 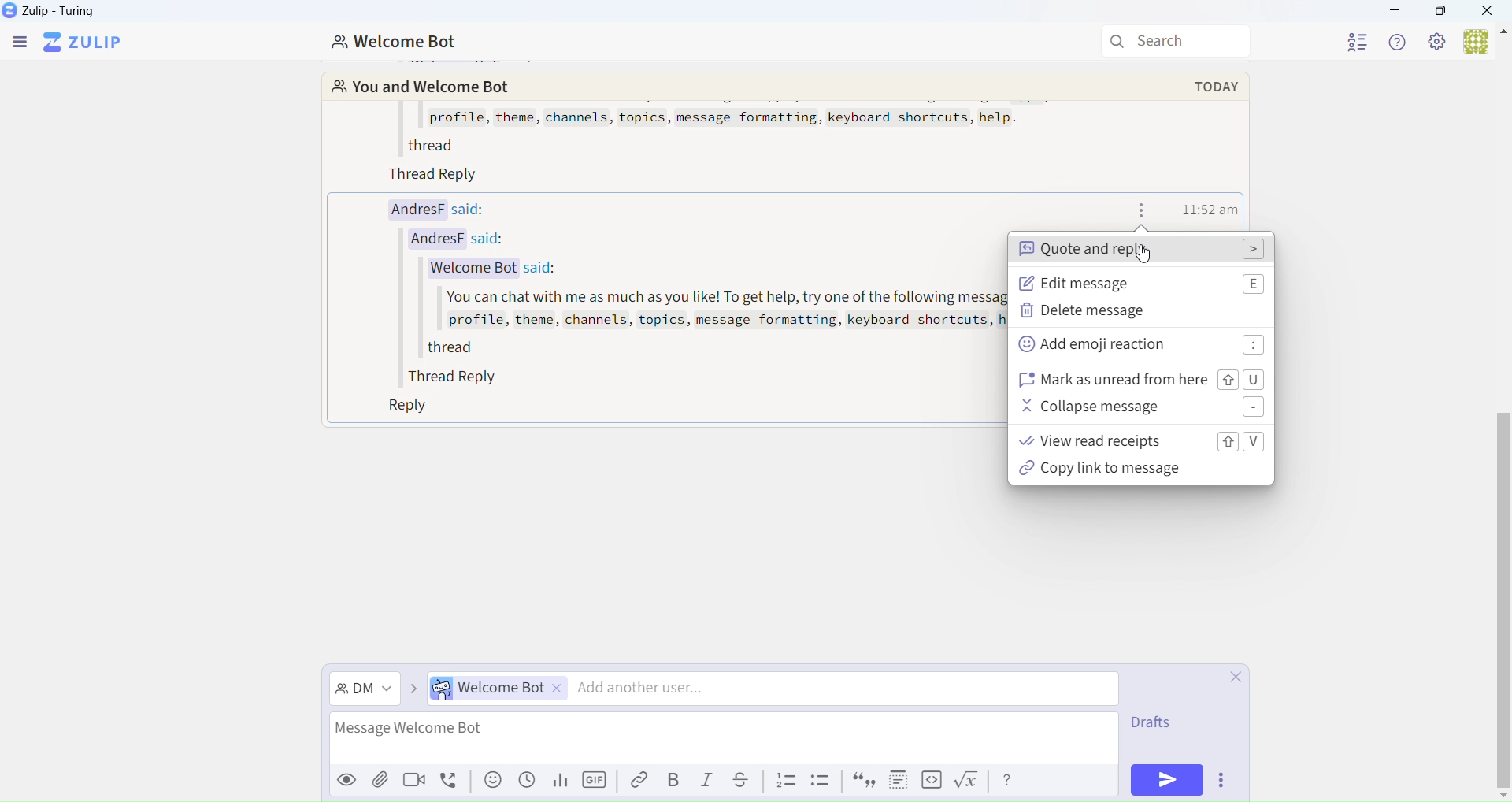 What do you see at coordinates (821, 782) in the screenshot?
I see `List` at bounding box center [821, 782].